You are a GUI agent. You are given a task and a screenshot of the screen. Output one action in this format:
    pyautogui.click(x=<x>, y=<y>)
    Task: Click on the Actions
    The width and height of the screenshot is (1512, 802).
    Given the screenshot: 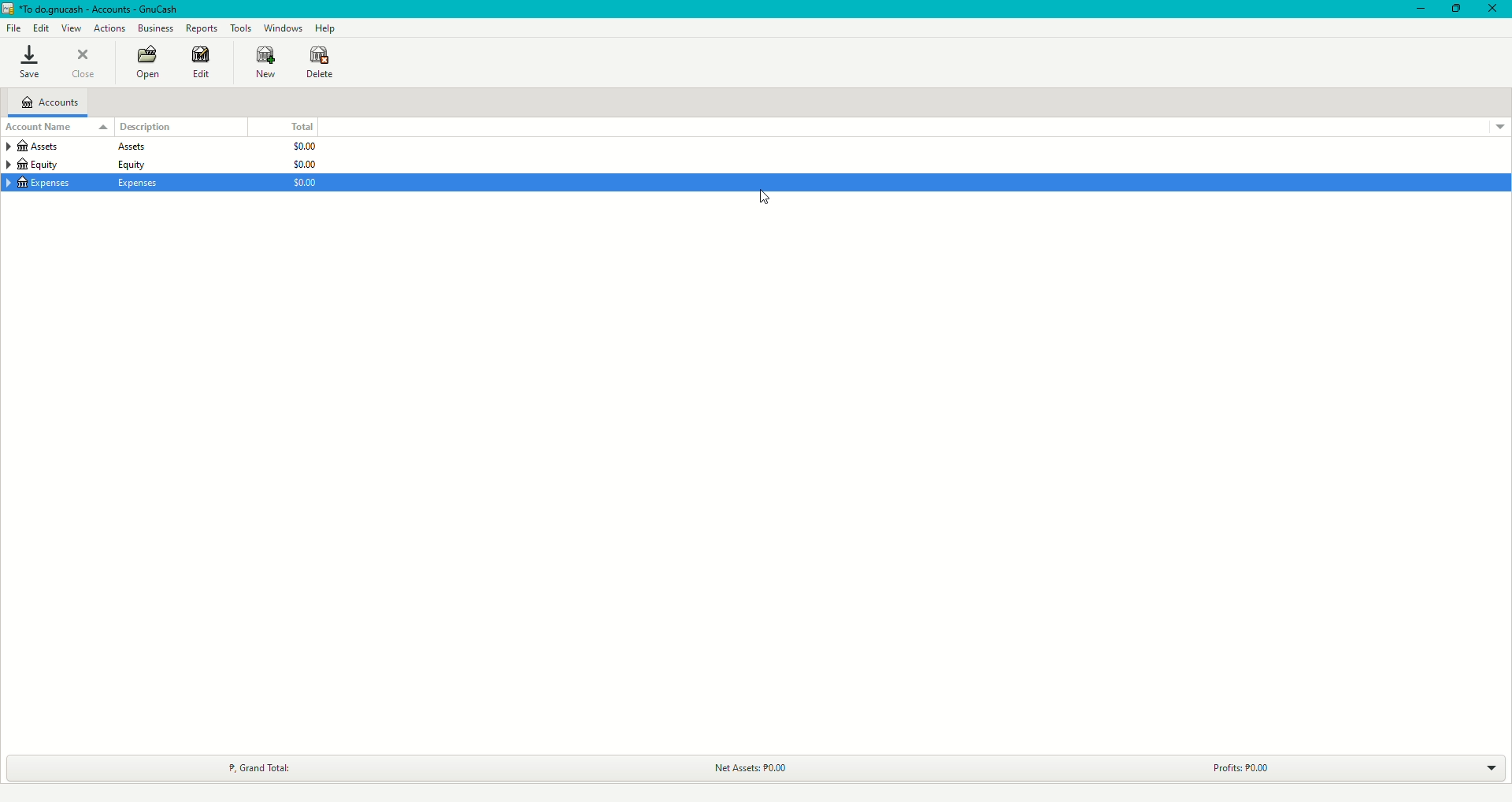 What is the action you would take?
    pyautogui.click(x=111, y=28)
    